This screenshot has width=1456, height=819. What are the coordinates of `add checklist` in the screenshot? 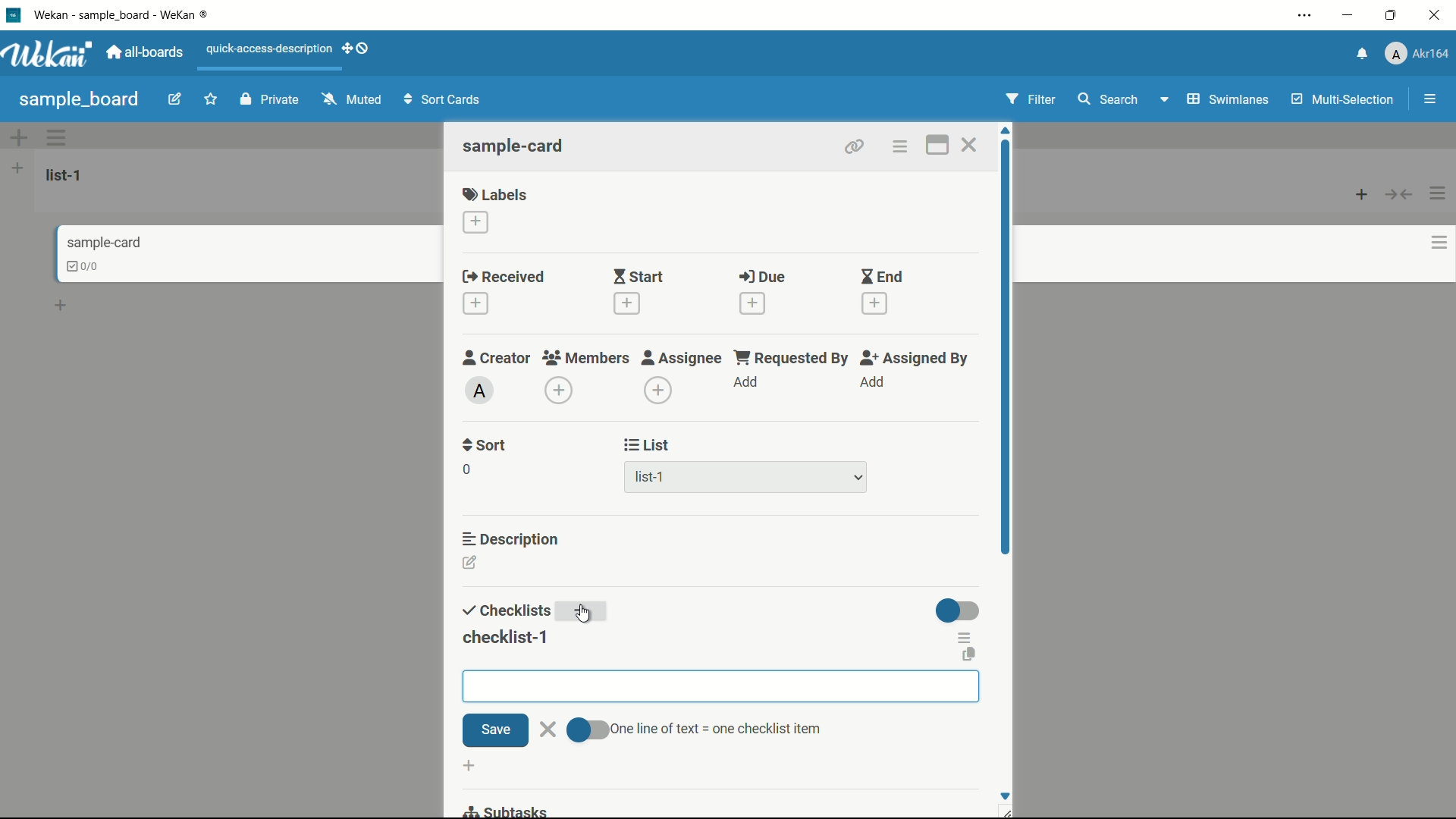 It's located at (472, 767).